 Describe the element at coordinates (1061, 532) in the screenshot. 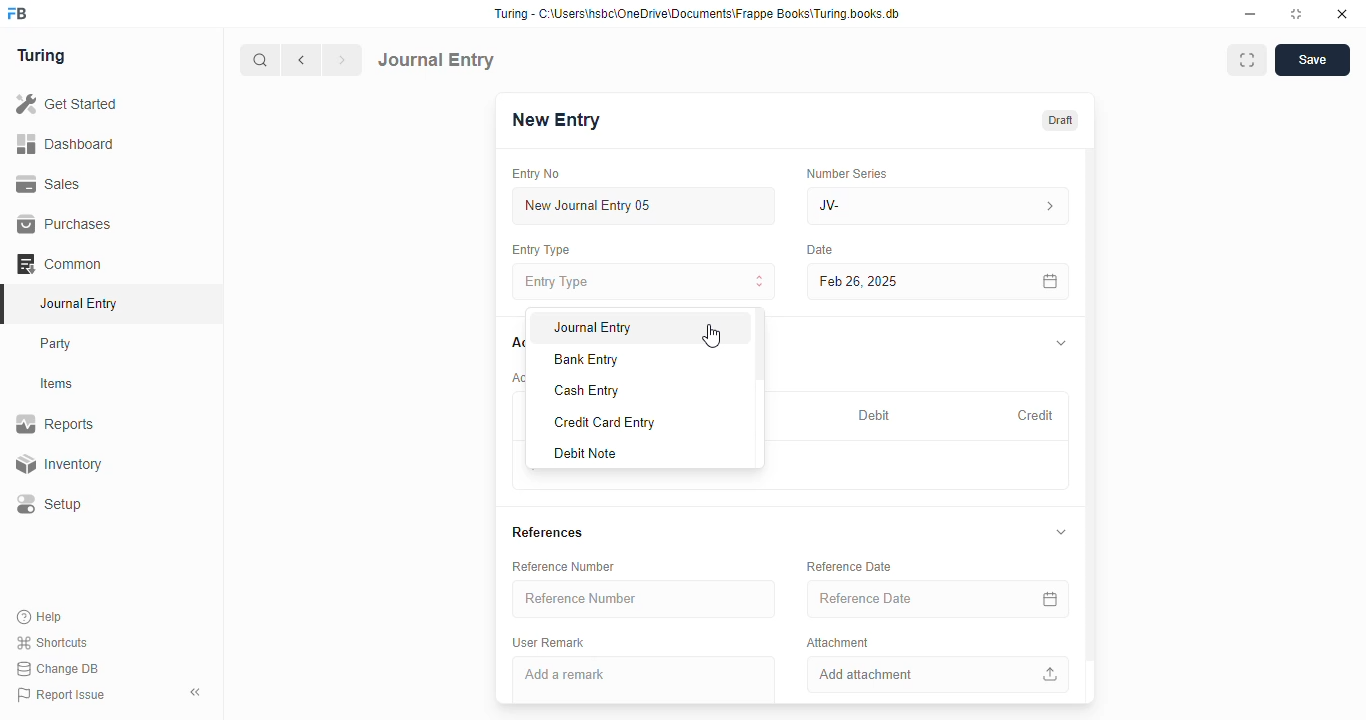

I see `toggle expand/collapse` at that location.